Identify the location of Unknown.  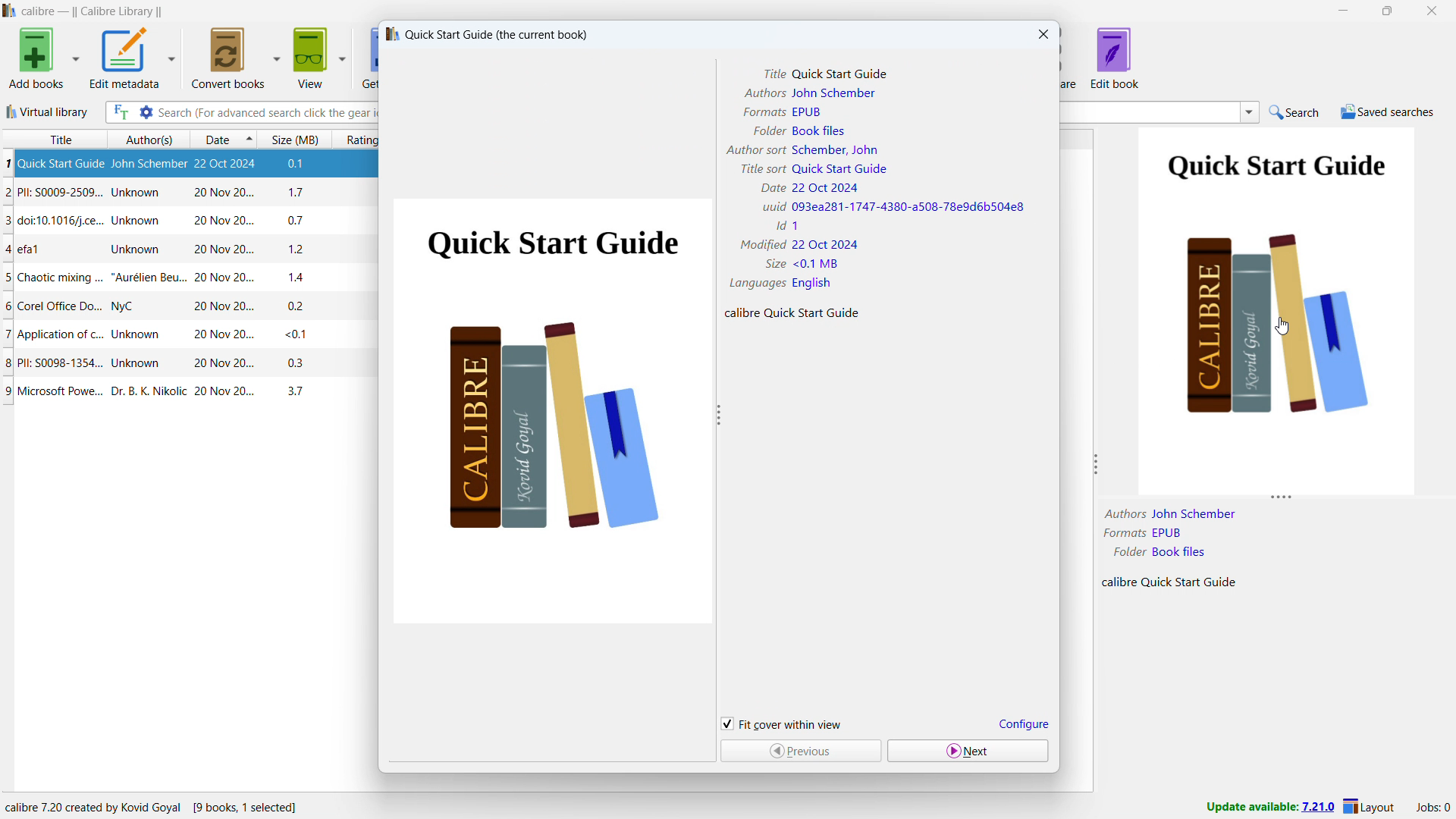
(138, 221).